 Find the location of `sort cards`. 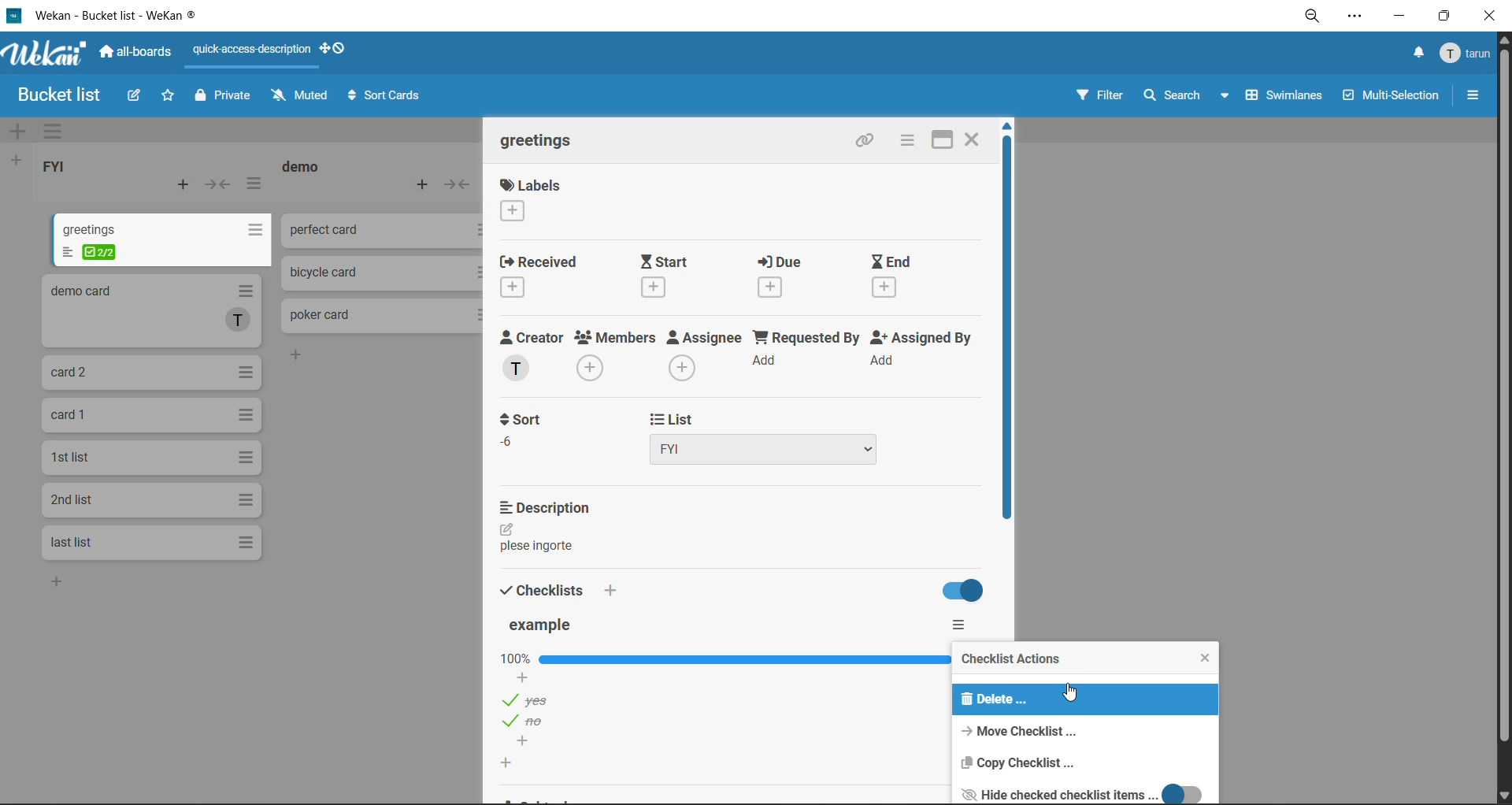

sort cards is located at coordinates (387, 95).